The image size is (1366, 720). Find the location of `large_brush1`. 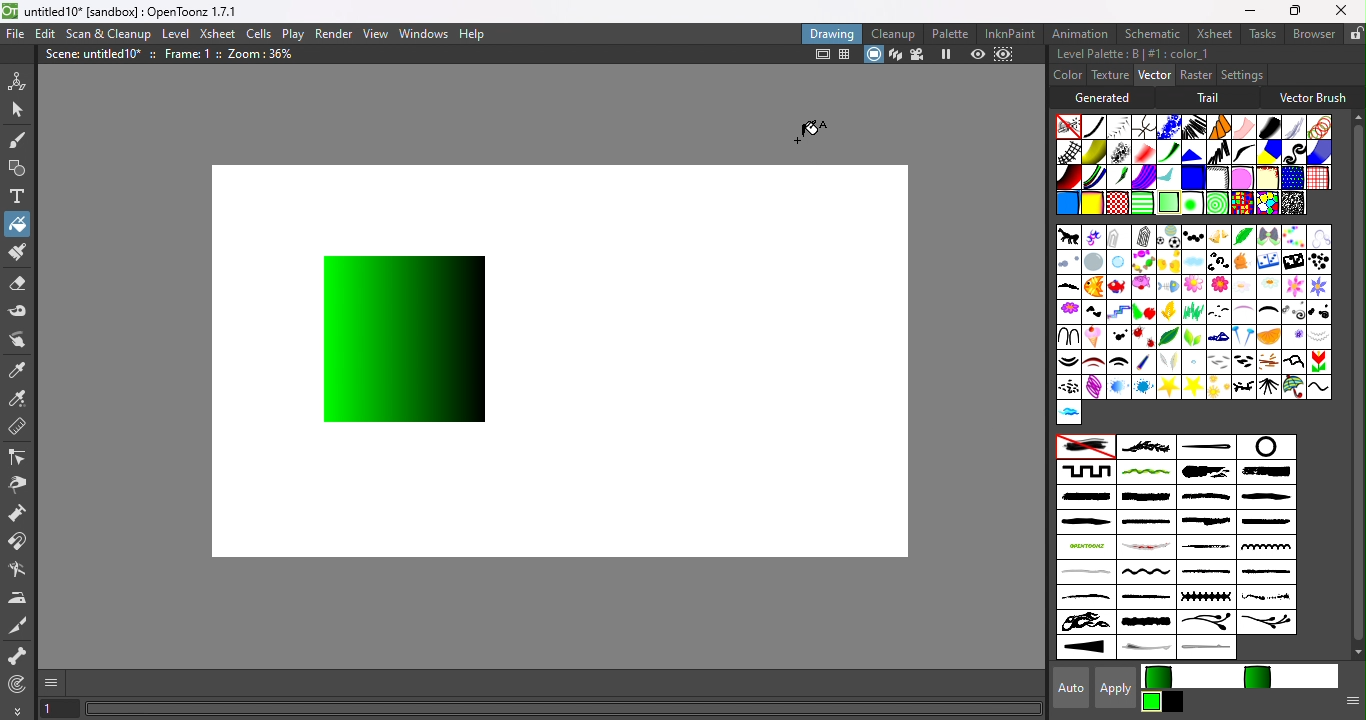

large_brush1 is located at coordinates (1204, 472).